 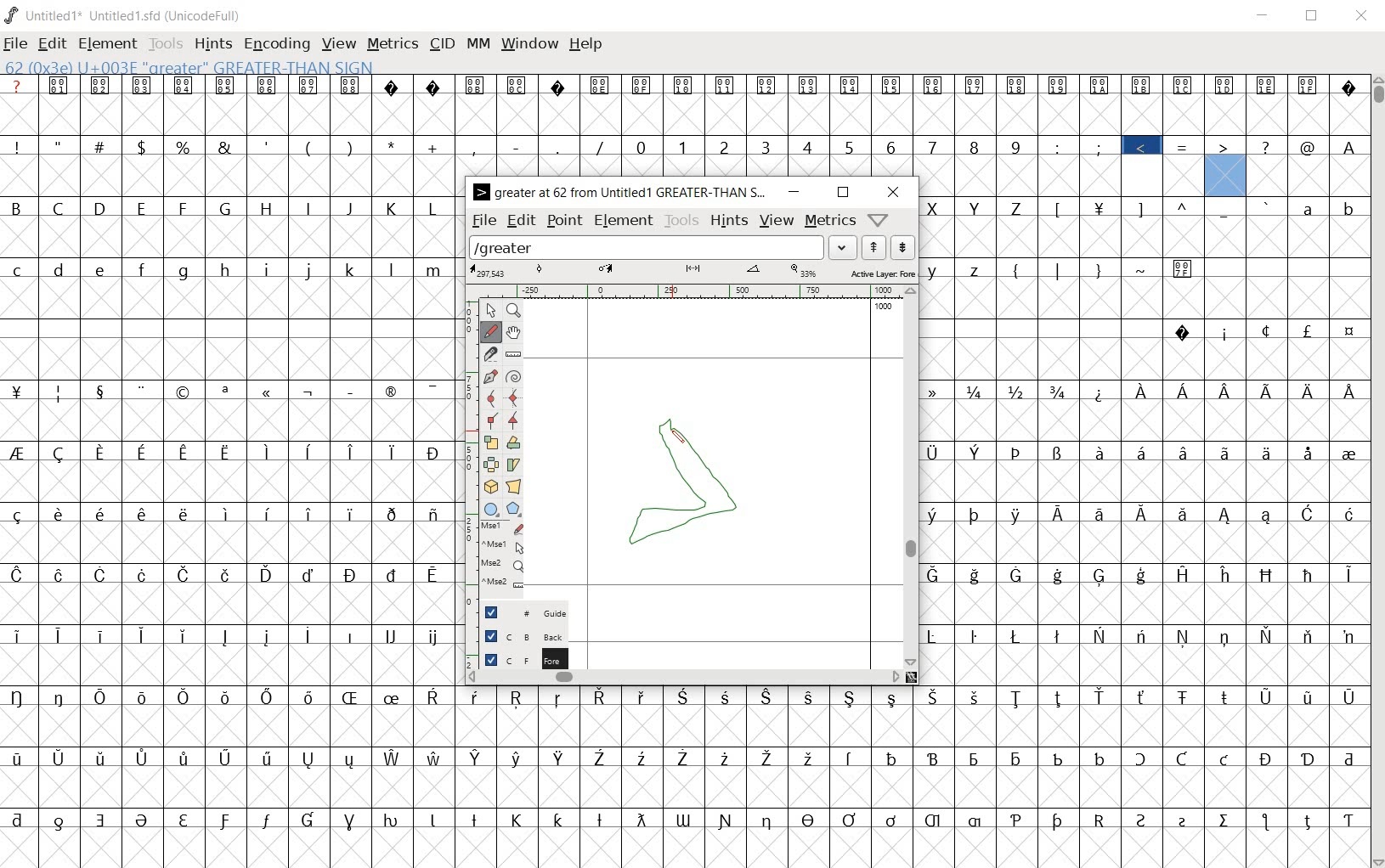 I want to click on add a point, then drag out its control points, so click(x=489, y=375).